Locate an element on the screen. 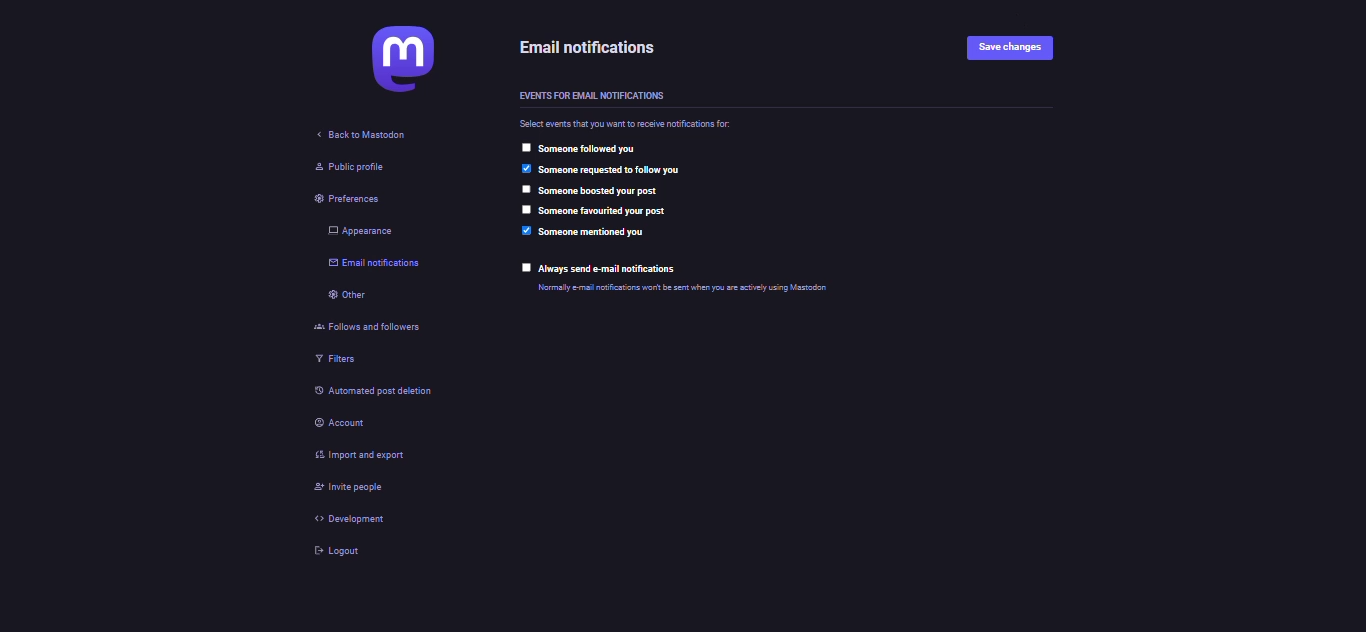  automated post deletion is located at coordinates (383, 393).